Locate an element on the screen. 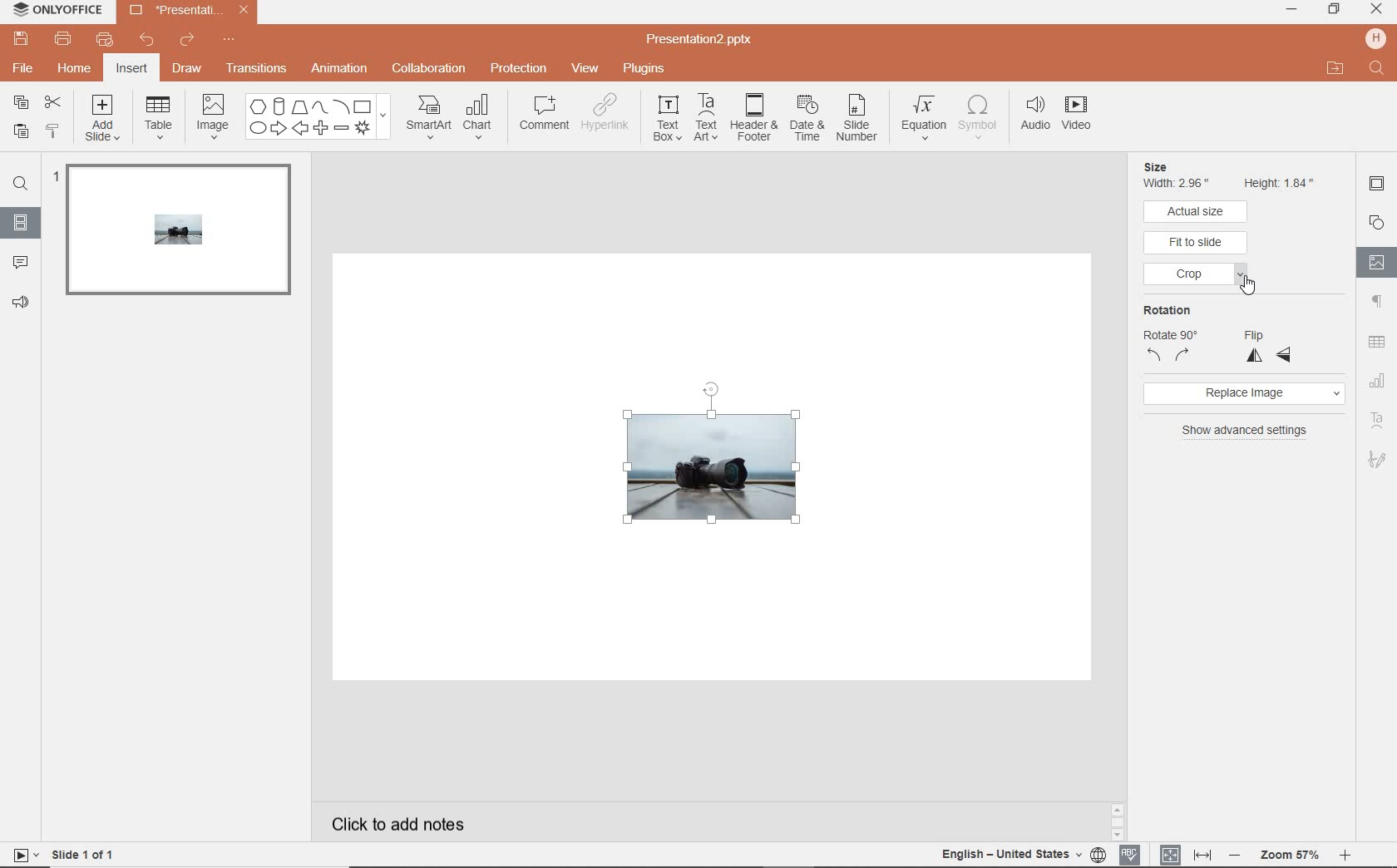 This screenshot has width=1397, height=868. undo is located at coordinates (147, 40).